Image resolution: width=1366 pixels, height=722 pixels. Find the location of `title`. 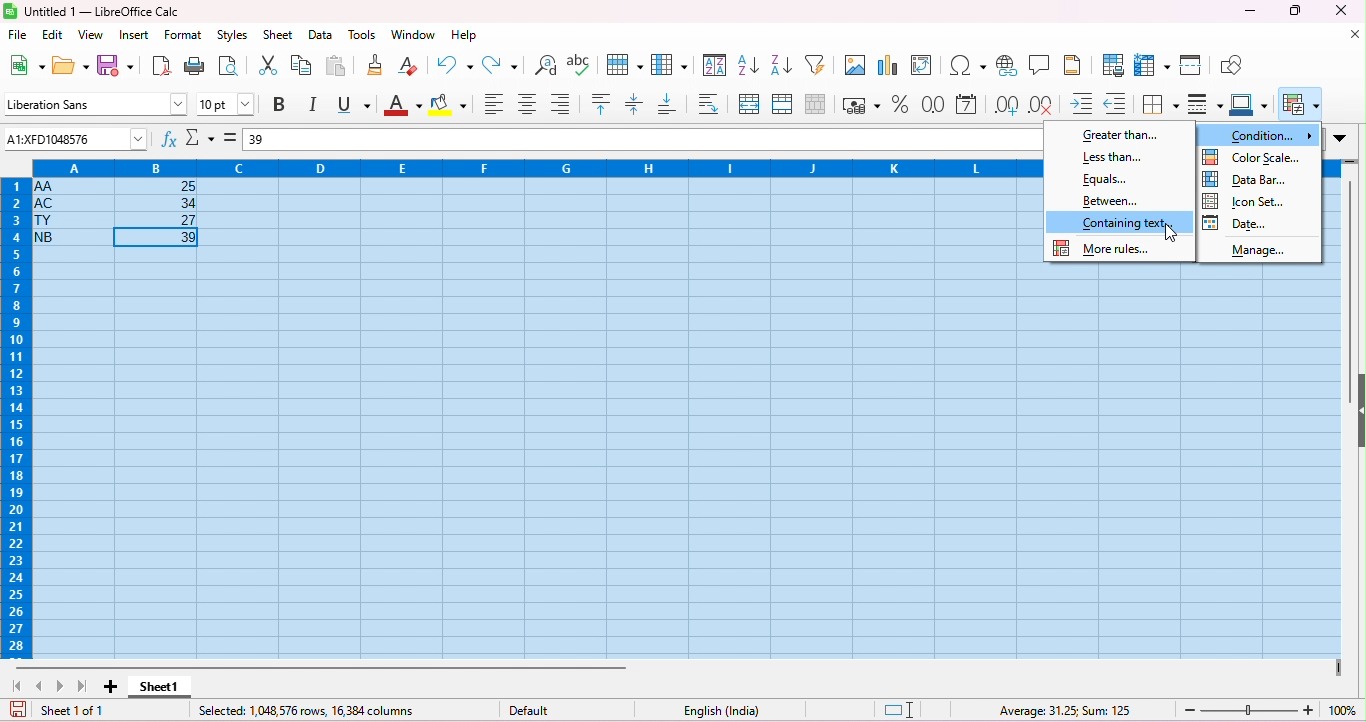

title is located at coordinates (92, 12).